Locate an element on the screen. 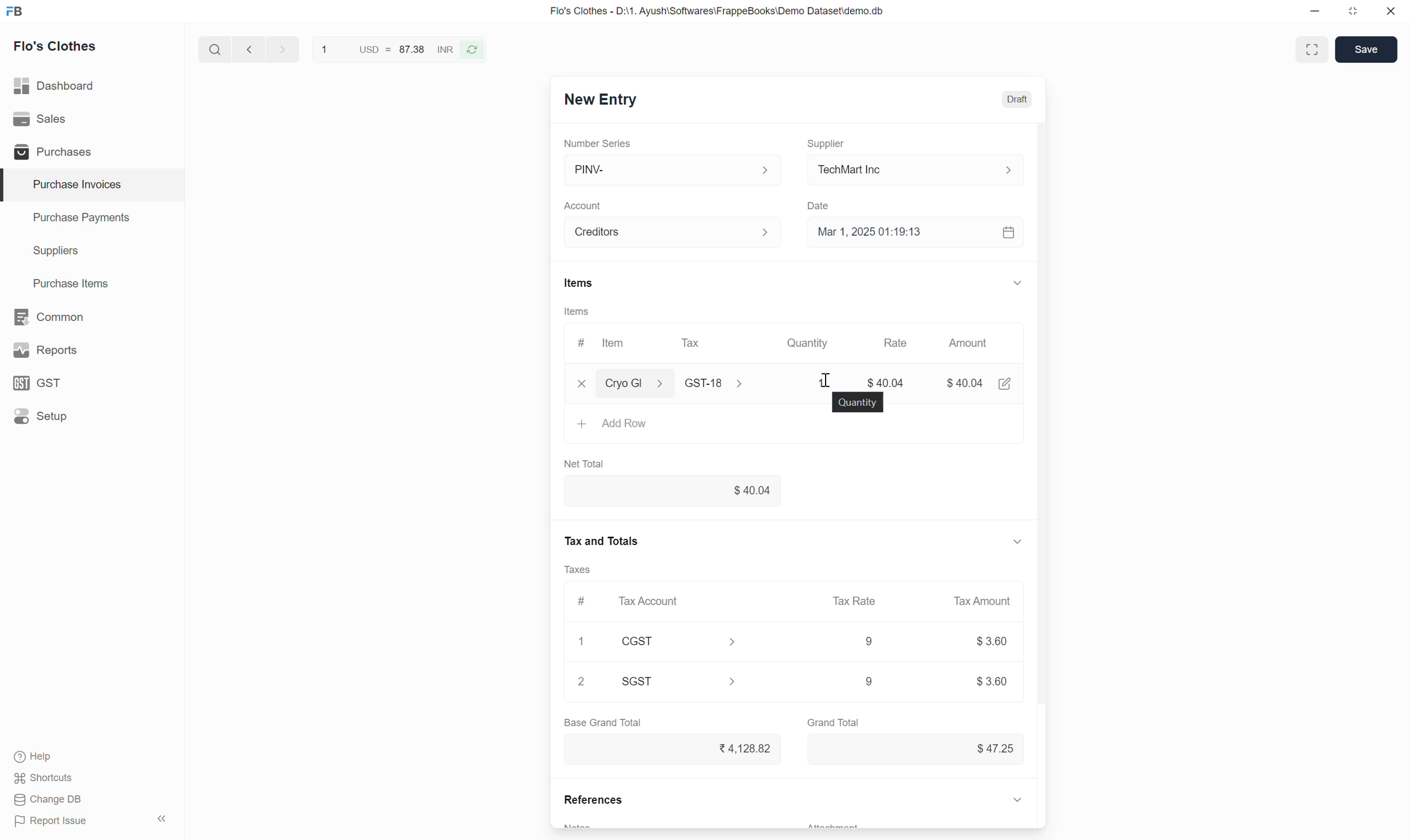 This screenshot has height=840, width=1410. Report issue is located at coordinates (55, 823).